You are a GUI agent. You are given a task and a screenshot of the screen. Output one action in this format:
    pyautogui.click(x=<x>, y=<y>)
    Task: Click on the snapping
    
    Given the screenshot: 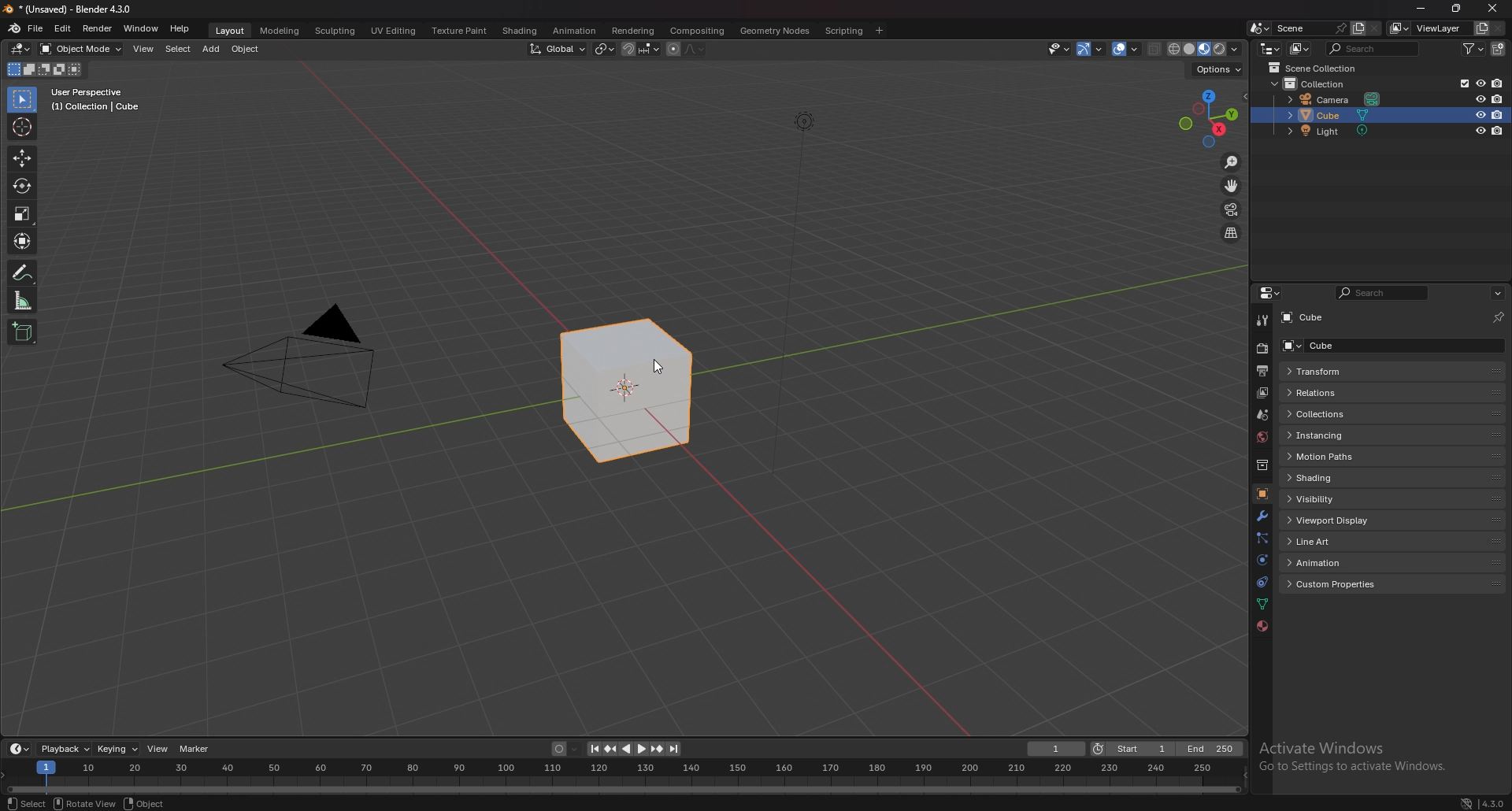 What is the action you would take?
    pyautogui.click(x=641, y=49)
    